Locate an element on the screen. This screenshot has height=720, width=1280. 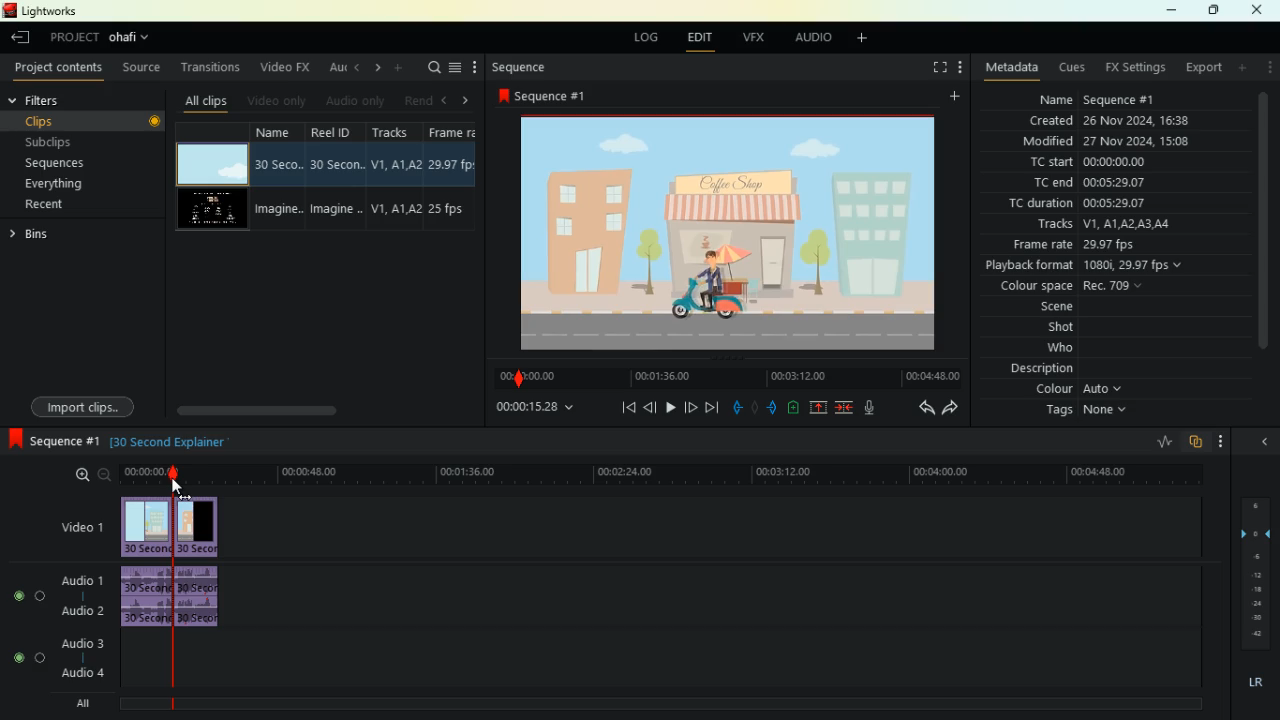
maximize is located at coordinates (1215, 11).